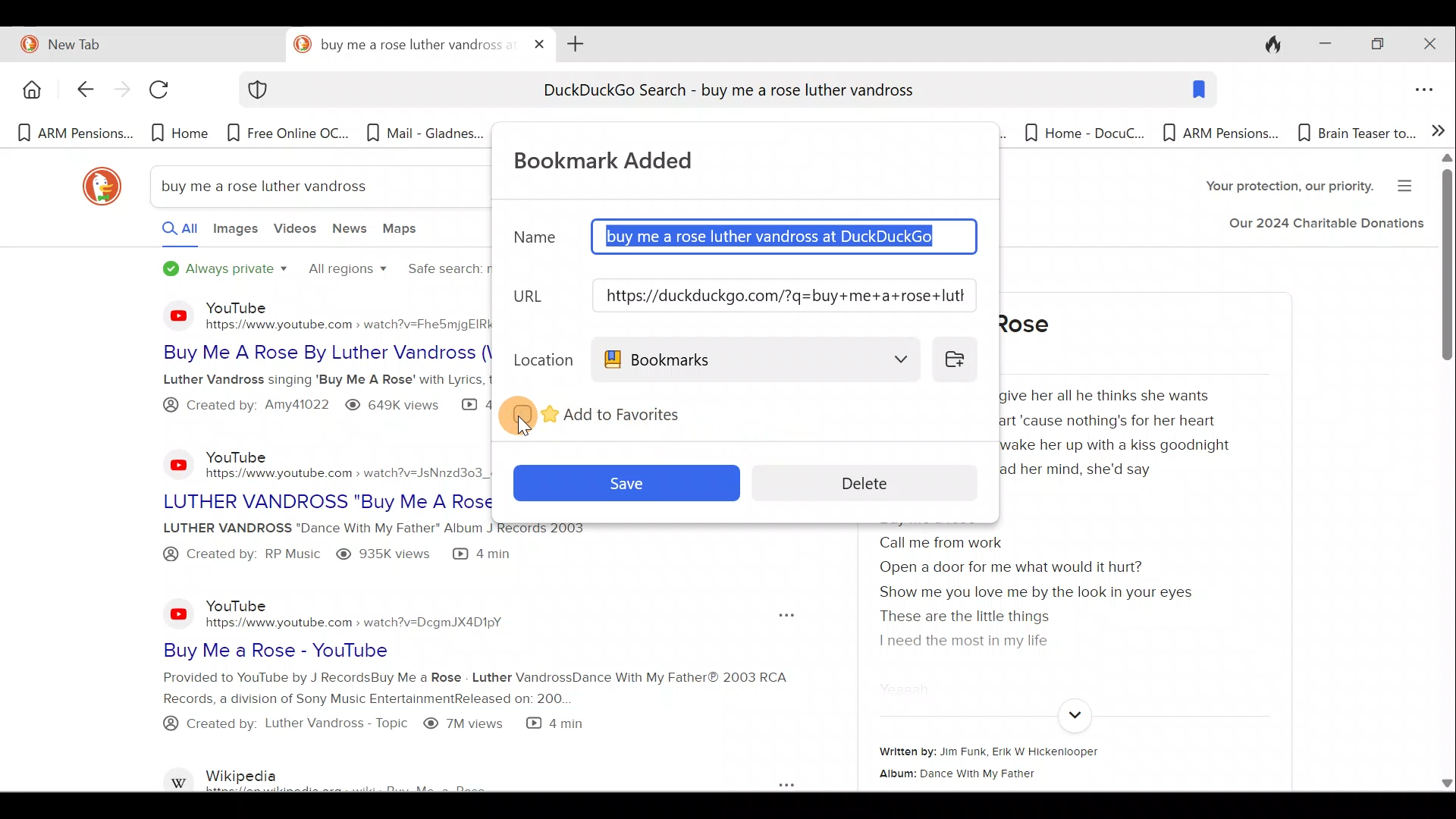 Image resolution: width=1456 pixels, height=819 pixels. Describe the element at coordinates (1050, 763) in the screenshot. I see `Written by: Jim Funk, Erik W Hickenlooper
Album: Dance With My Father` at that location.